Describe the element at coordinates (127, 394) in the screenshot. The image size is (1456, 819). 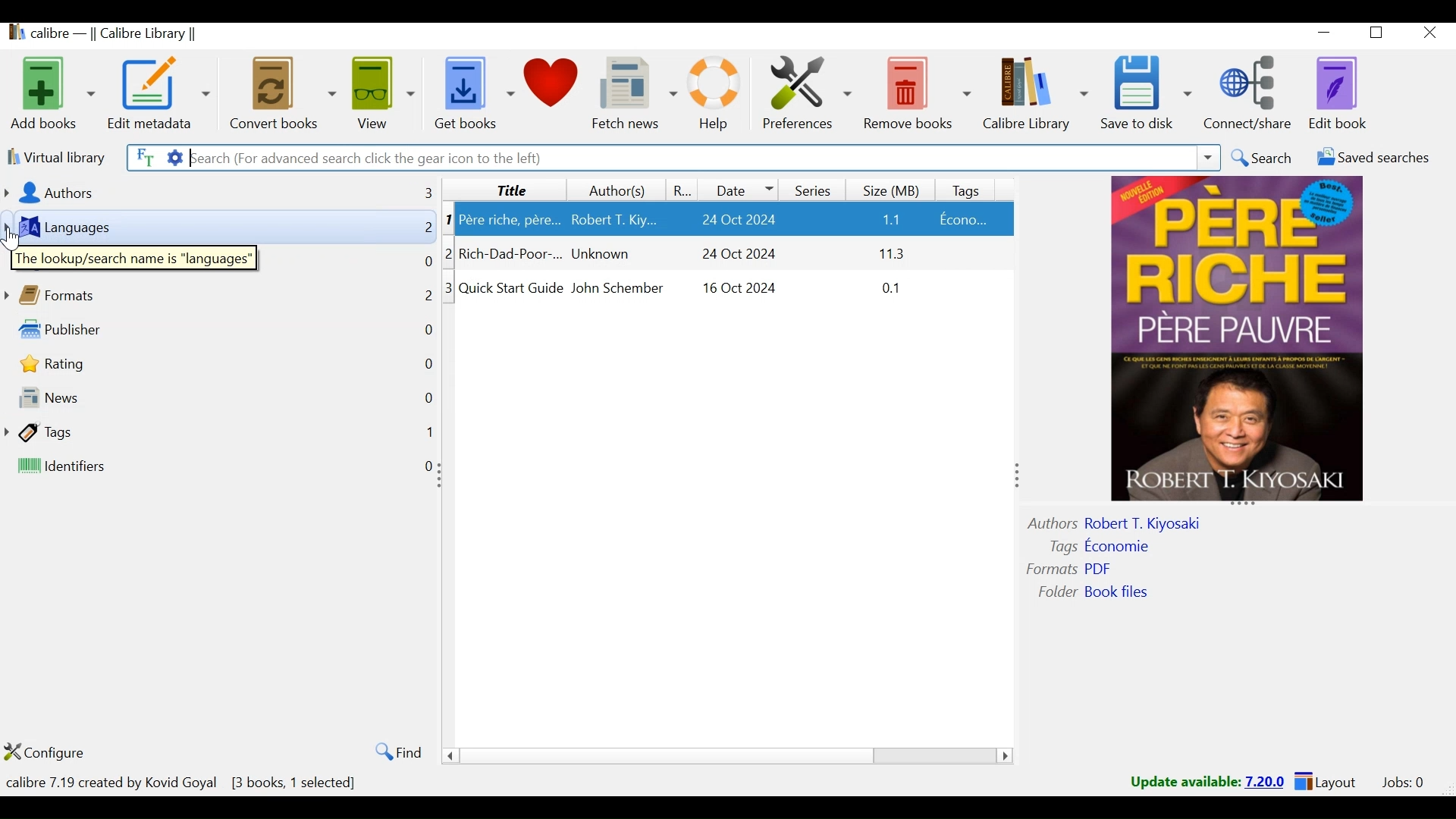
I see `News` at that location.